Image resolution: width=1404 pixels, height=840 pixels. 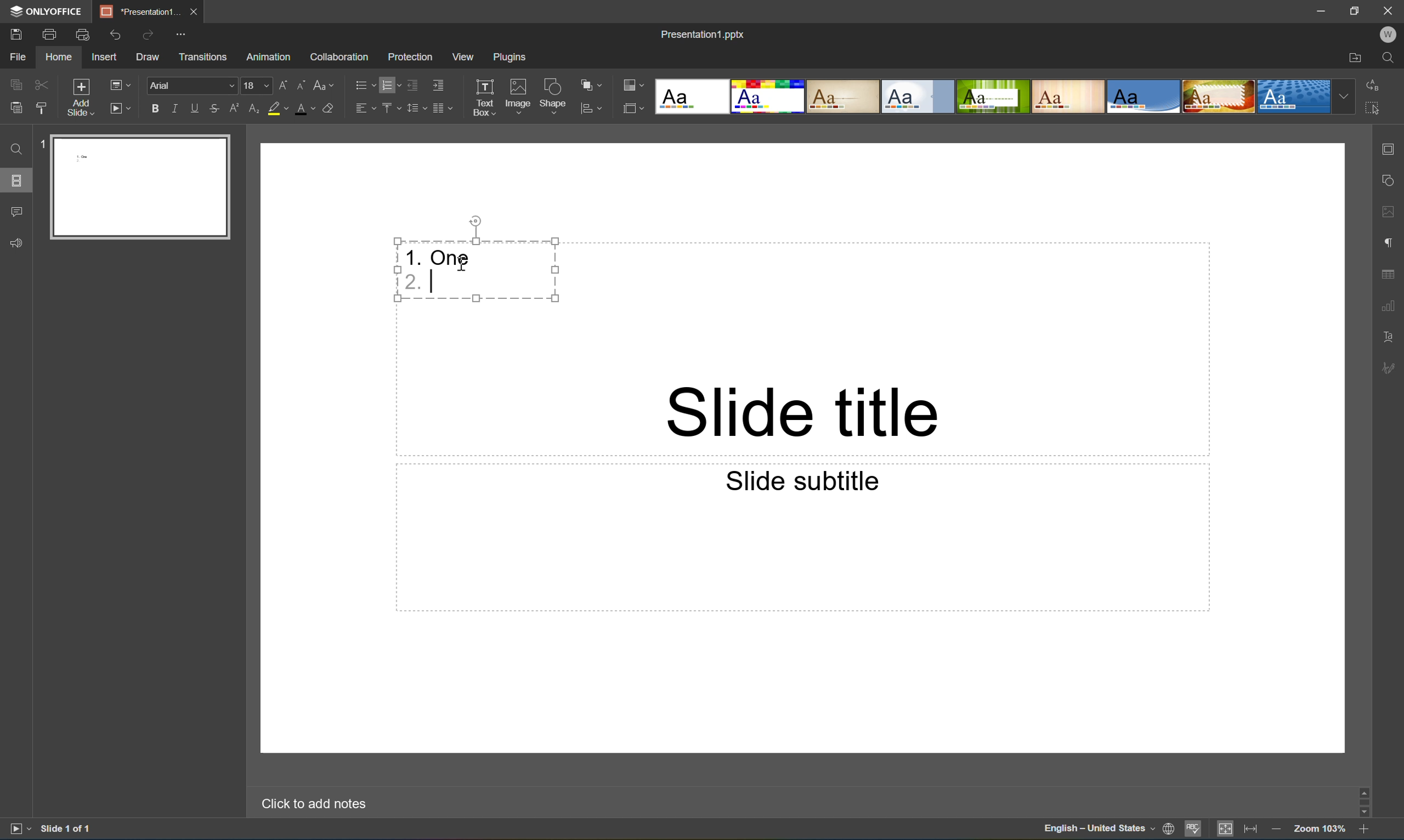 What do you see at coordinates (42, 108) in the screenshot?
I see `Copy style` at bounding box center [42, 108].